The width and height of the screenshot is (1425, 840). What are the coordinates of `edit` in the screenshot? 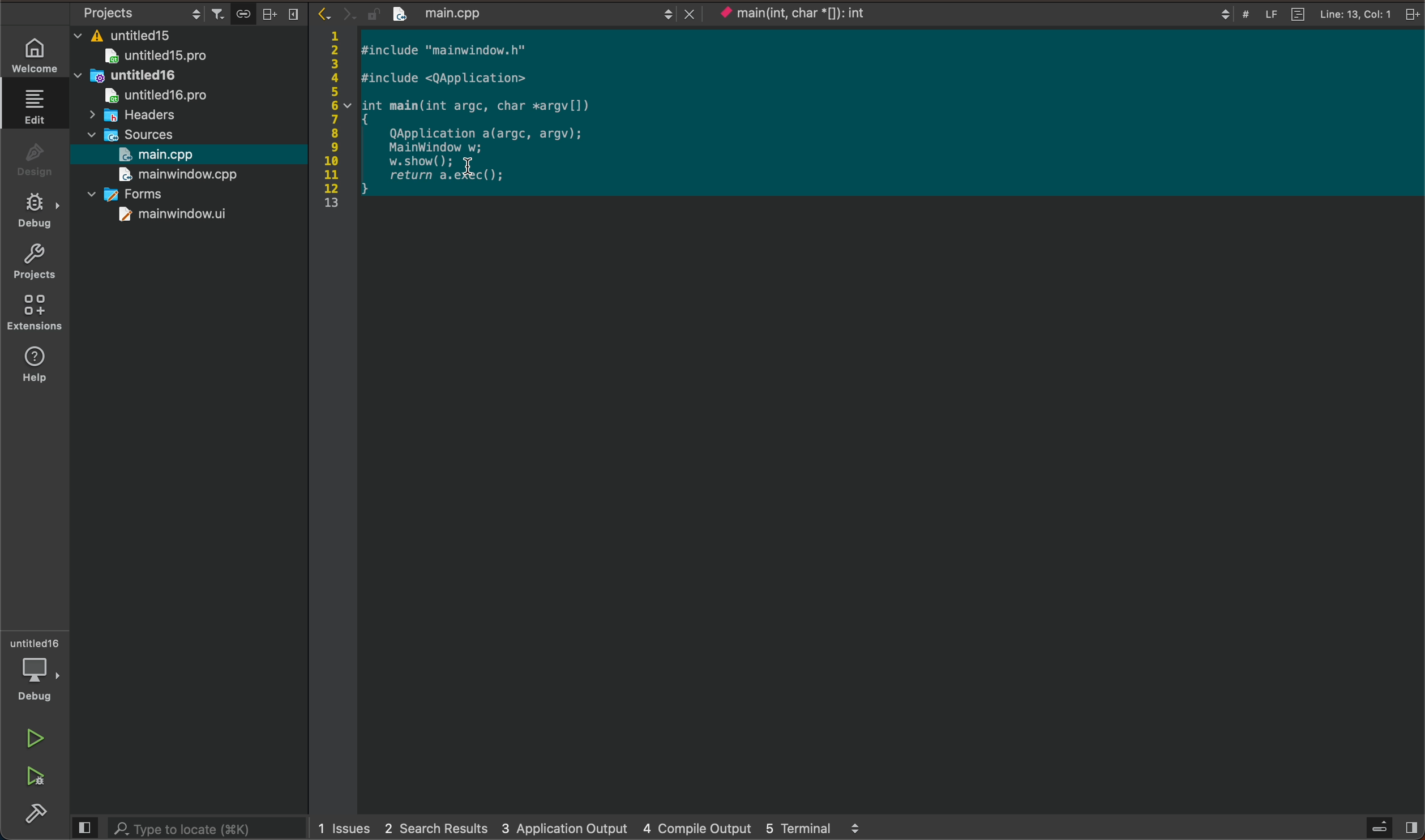 It's located at (32, 106).